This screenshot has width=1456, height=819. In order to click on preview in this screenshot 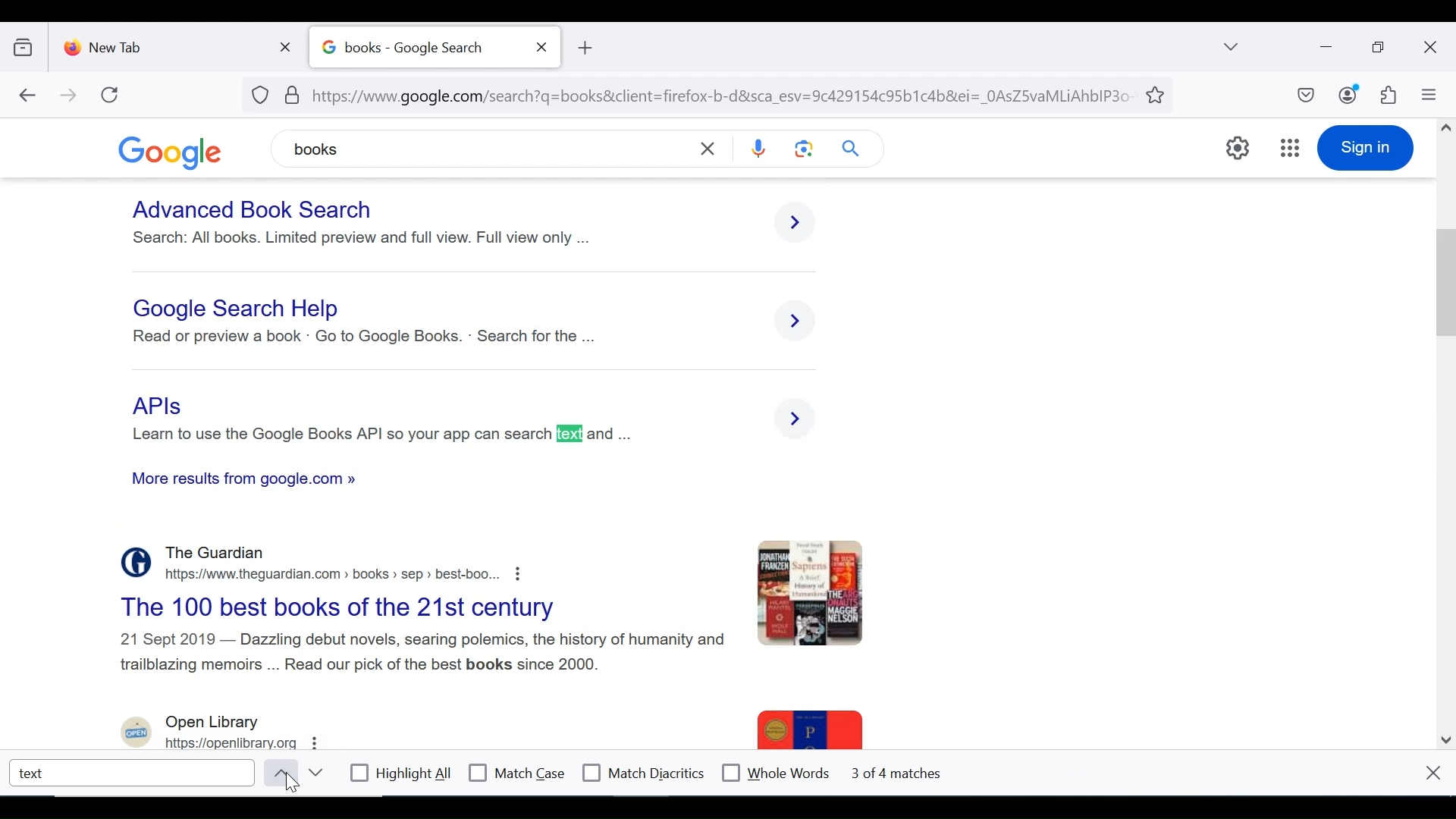, I will do `click(814, 593)`.